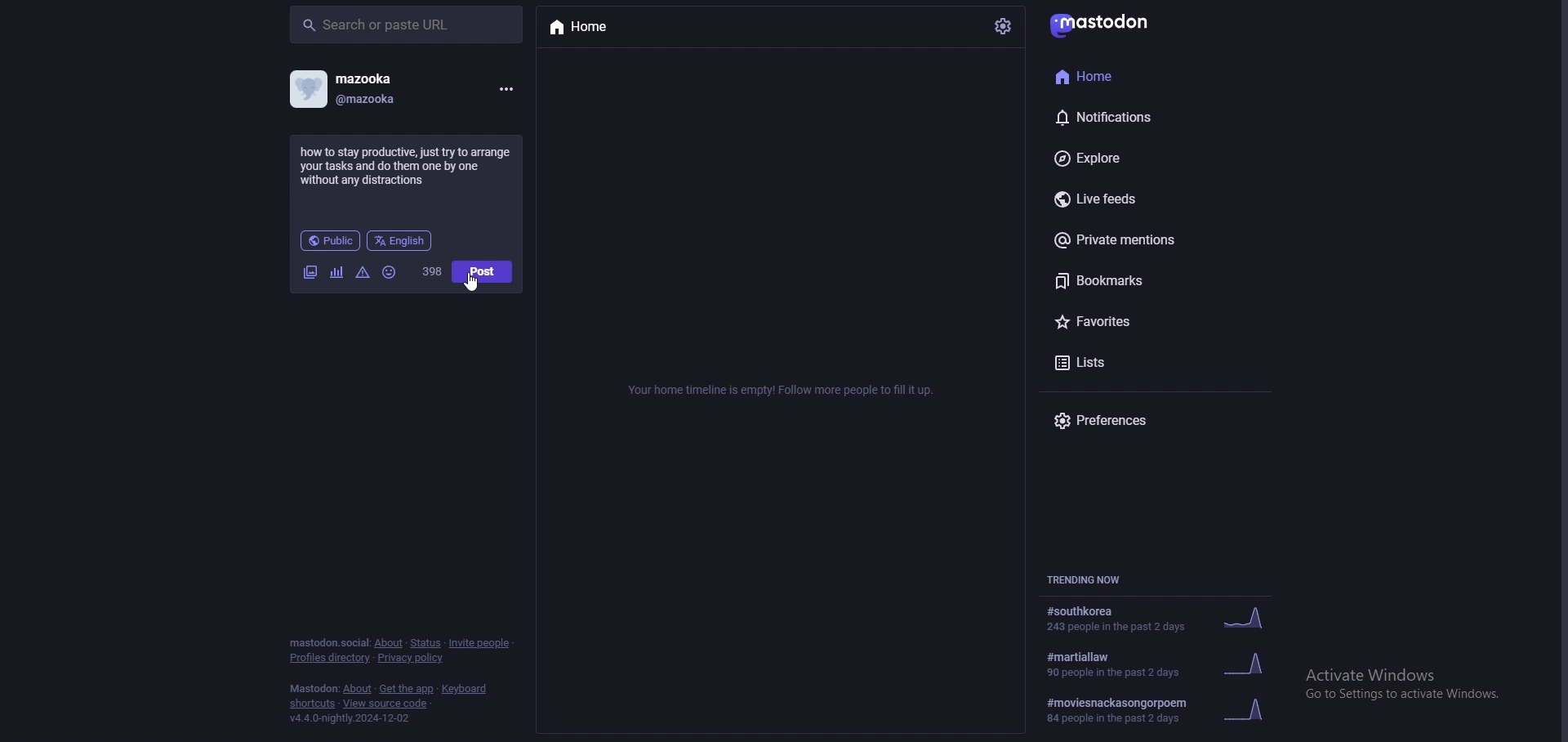  What do you see at coordinates (313, 688) in the screenshot?
I see `mastodon` at bounding box center [313, 688].